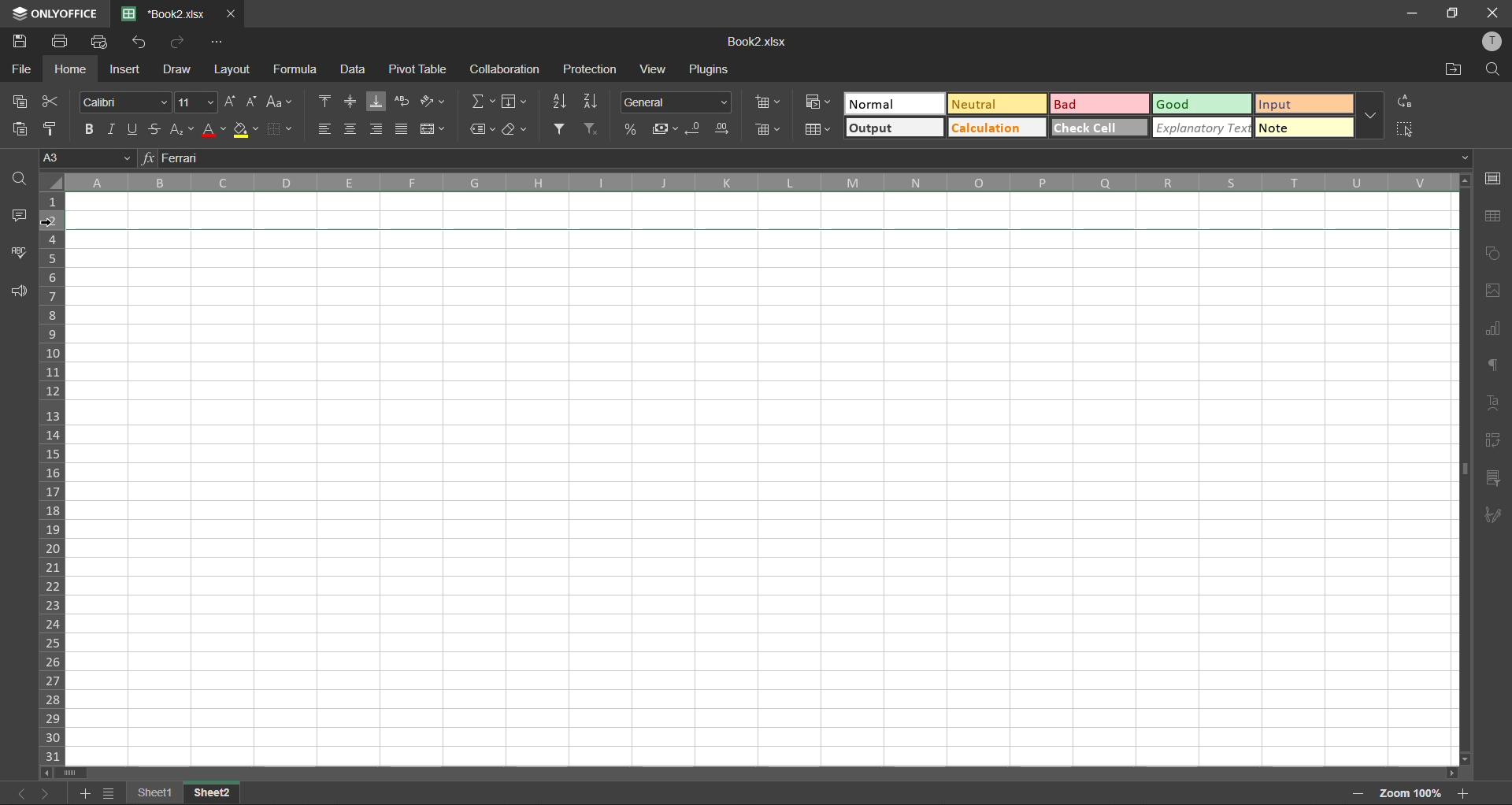 The image size is (1512, 805). I want to click on filter, so click(562, 129).